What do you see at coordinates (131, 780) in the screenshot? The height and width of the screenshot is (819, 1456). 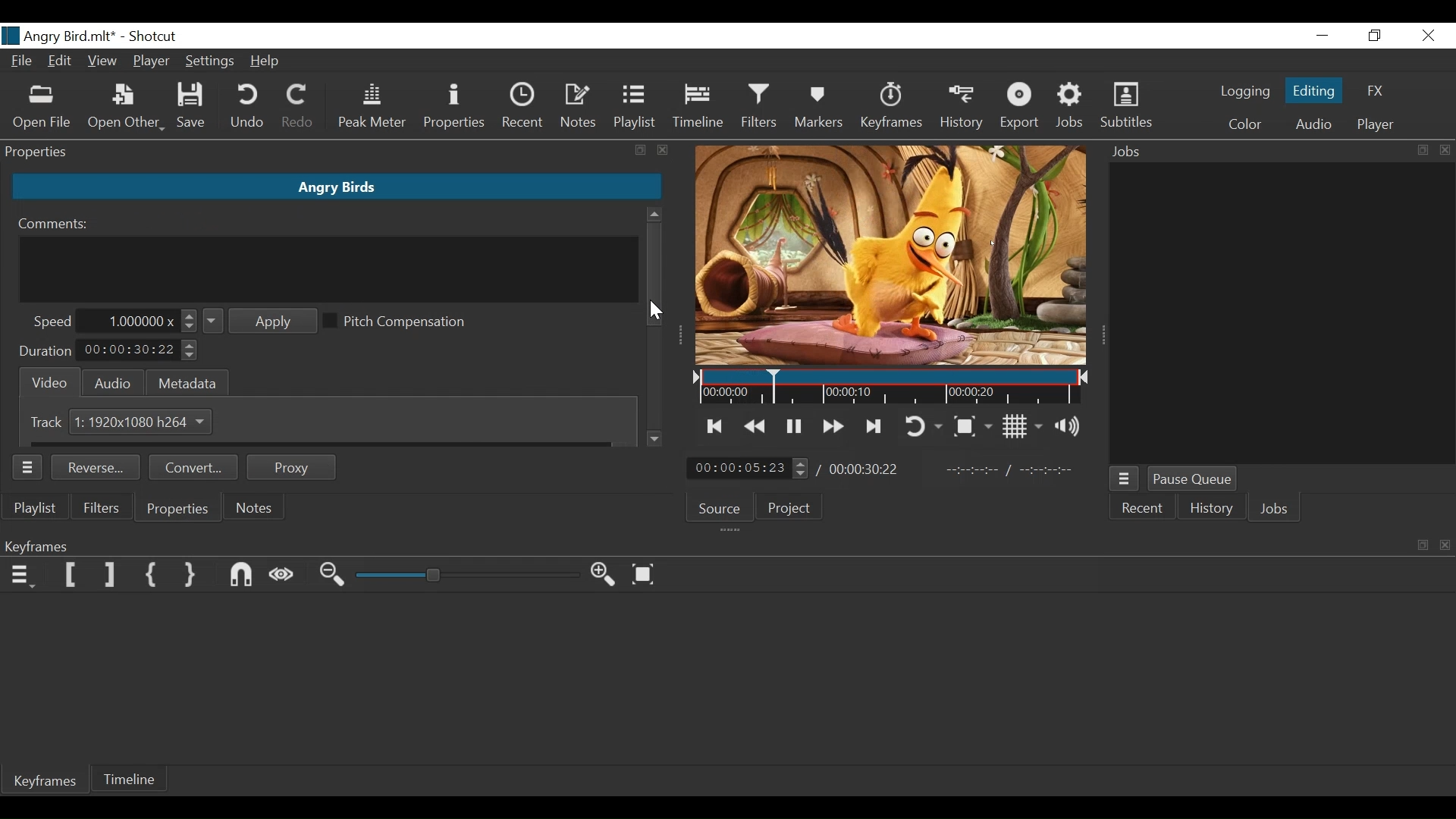 I see `Timeline` at bounding box center [131, 780].